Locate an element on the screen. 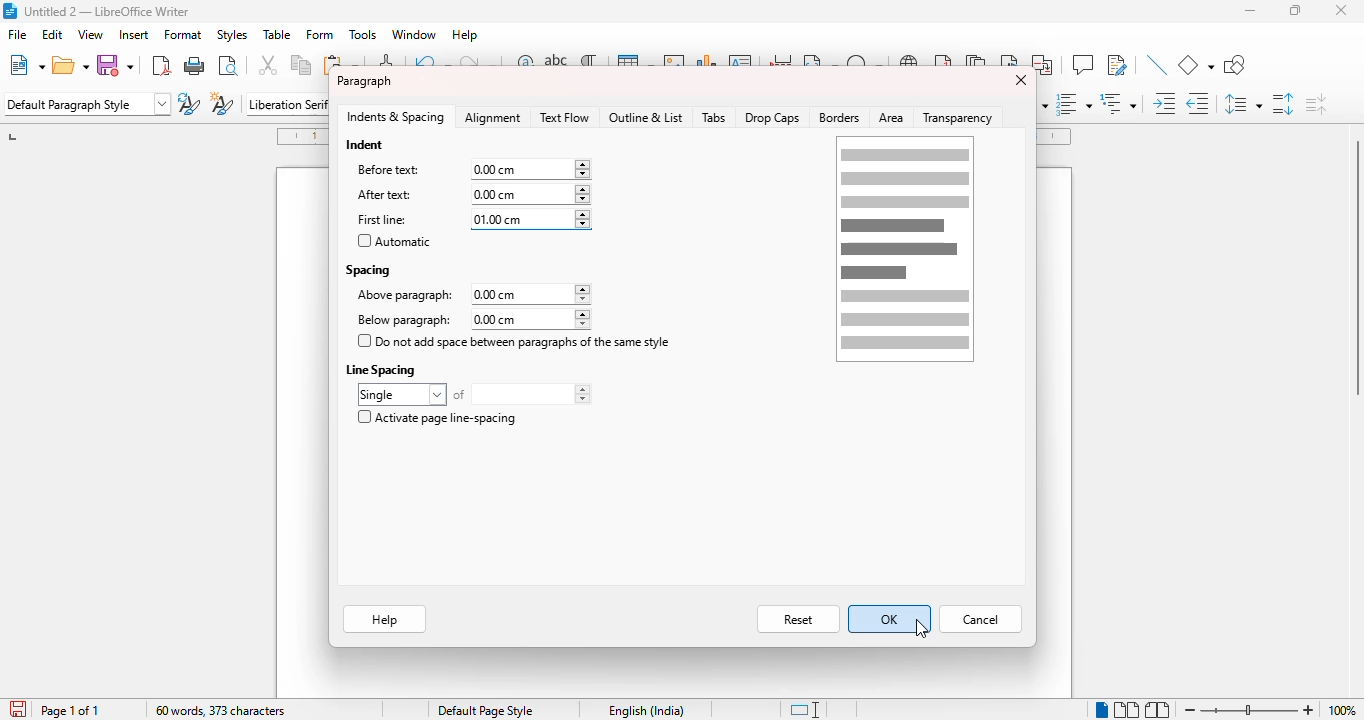 The image size is (1364, 720). click to save the document is located at coordinates (17, 708).